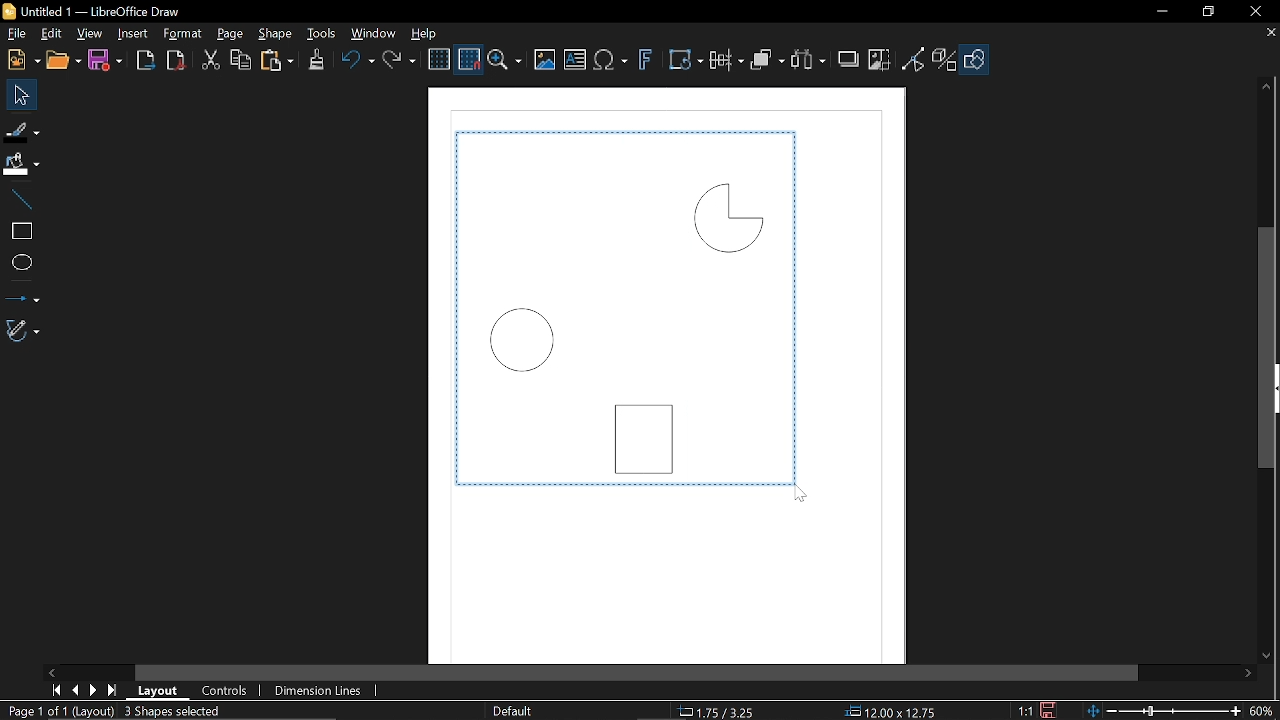 Image resolution: width=1280 pixels, height=720 pixels. I want to click on 1.75/3.25 (cursor location), so click(721, 709).